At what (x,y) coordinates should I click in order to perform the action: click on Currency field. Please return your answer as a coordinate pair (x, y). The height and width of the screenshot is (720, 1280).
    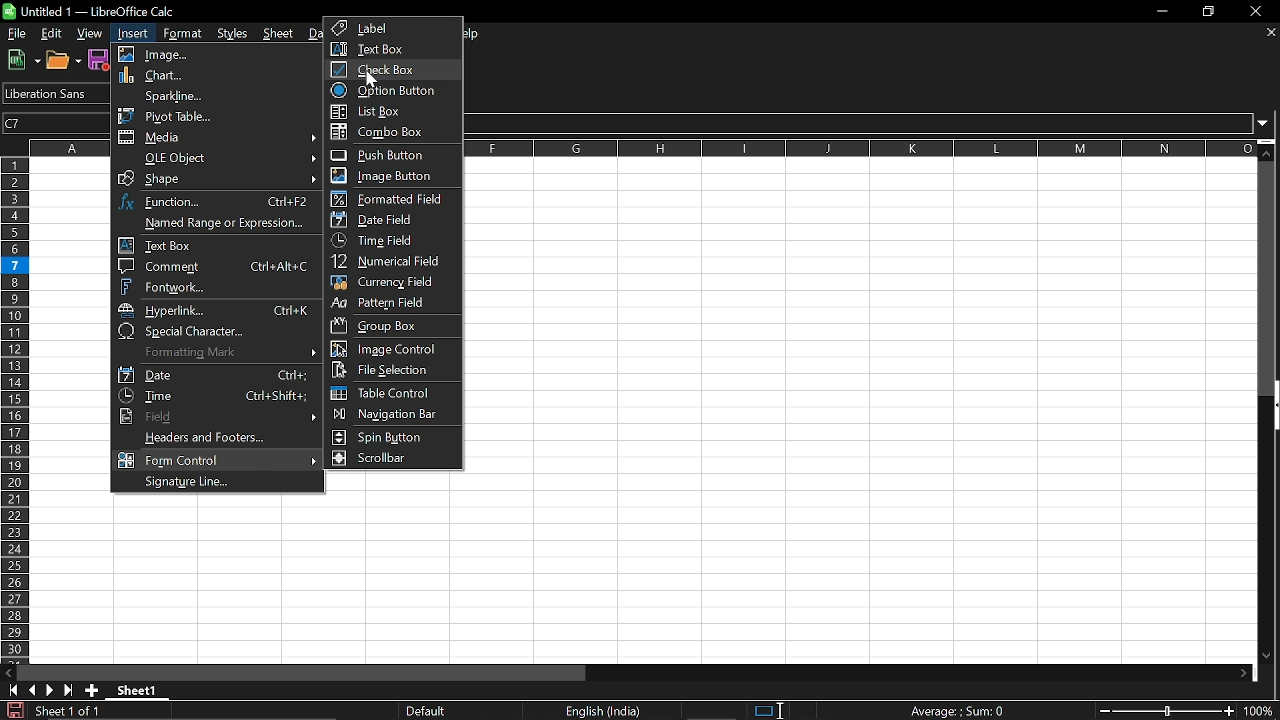
    Looking at the image, I should click on (391, 284).